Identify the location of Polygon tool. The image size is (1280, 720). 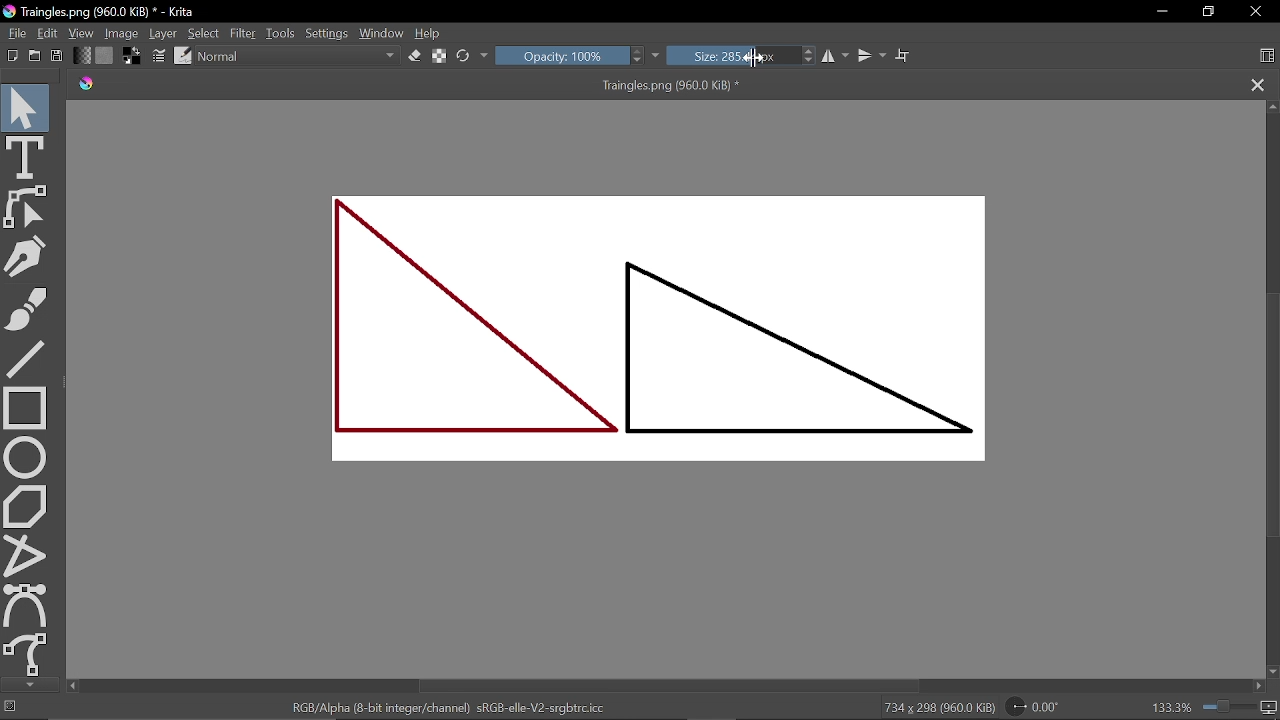
(28, 506).